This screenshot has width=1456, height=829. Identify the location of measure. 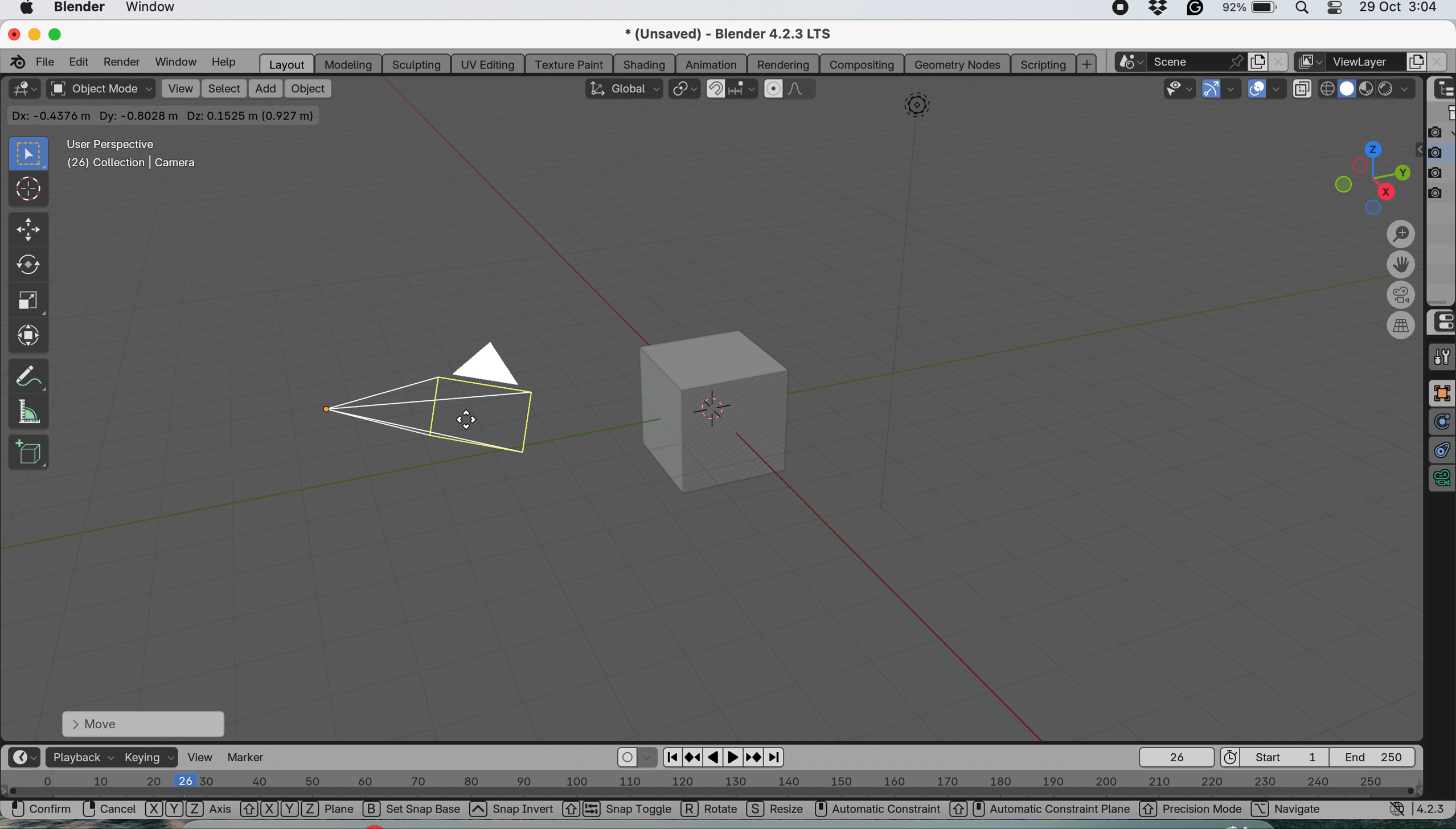
(28, 411).